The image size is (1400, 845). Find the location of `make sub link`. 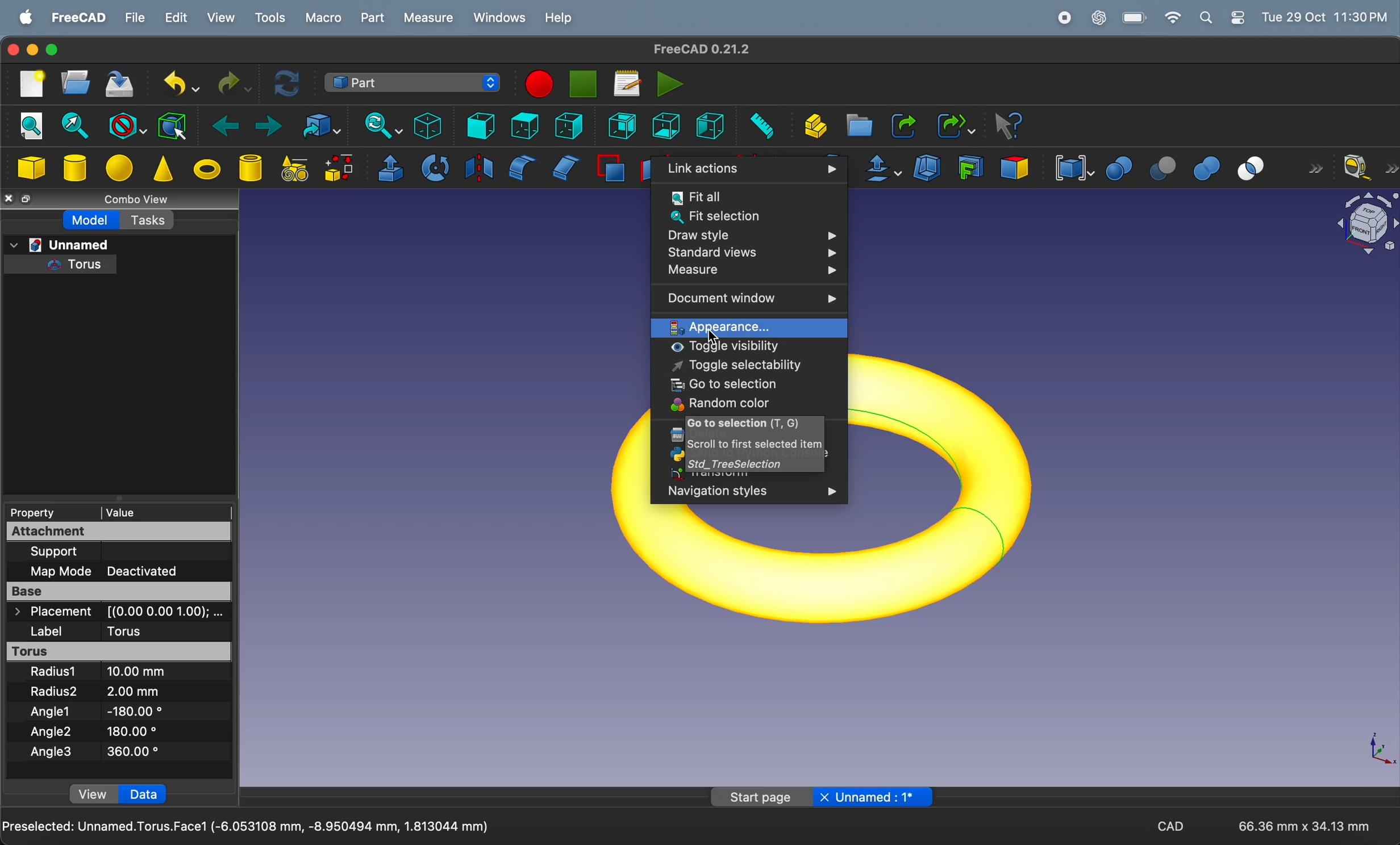

make sub link is located at coordinates (953, 126).